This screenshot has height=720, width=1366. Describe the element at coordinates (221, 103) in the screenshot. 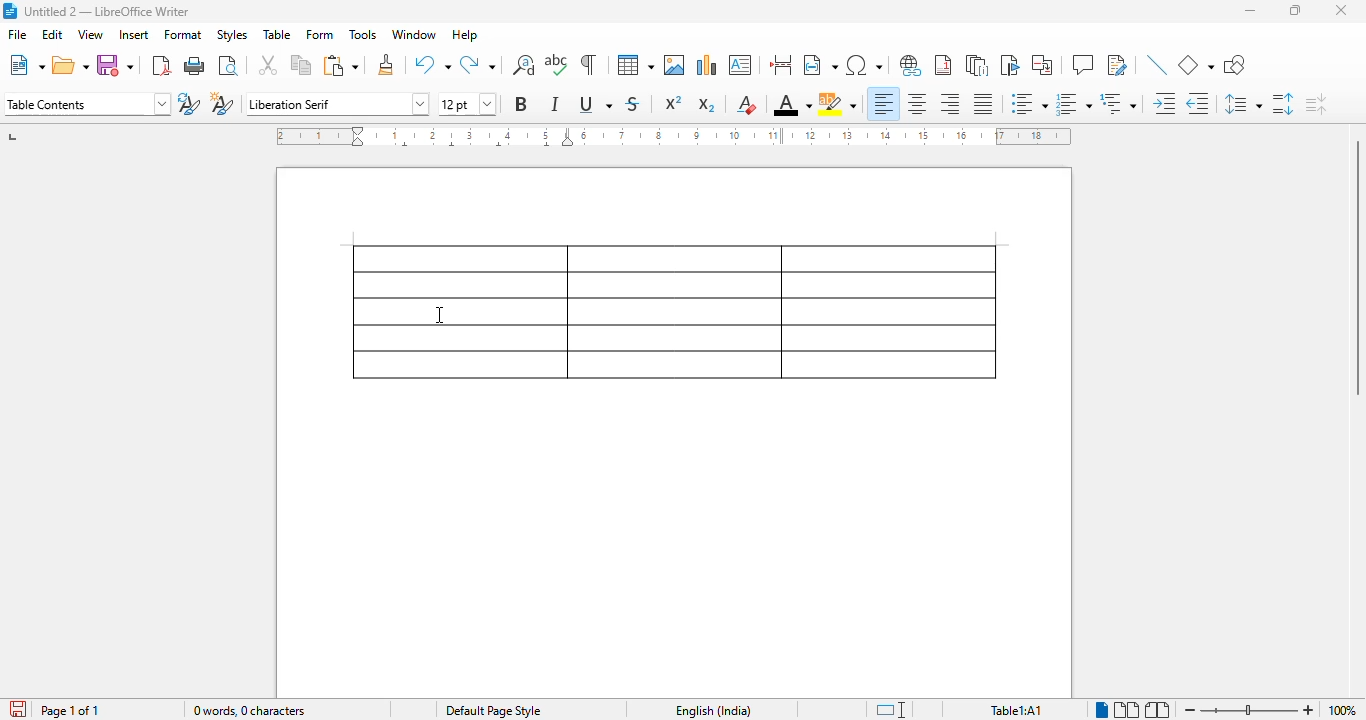

I see `new style from selection` at that location.